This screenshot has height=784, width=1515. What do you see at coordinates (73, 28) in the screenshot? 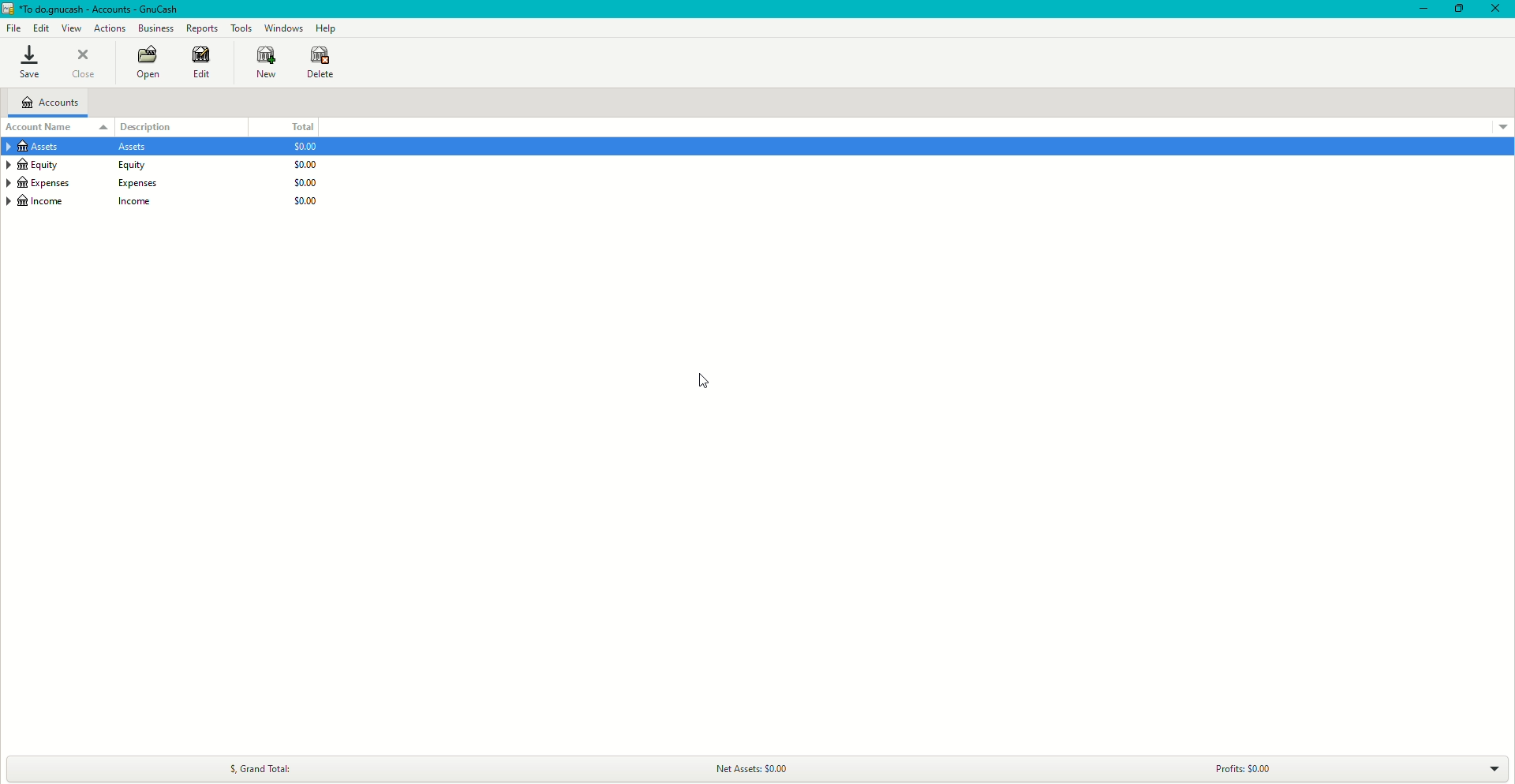
I see `View` at bounding box center [73, 28].